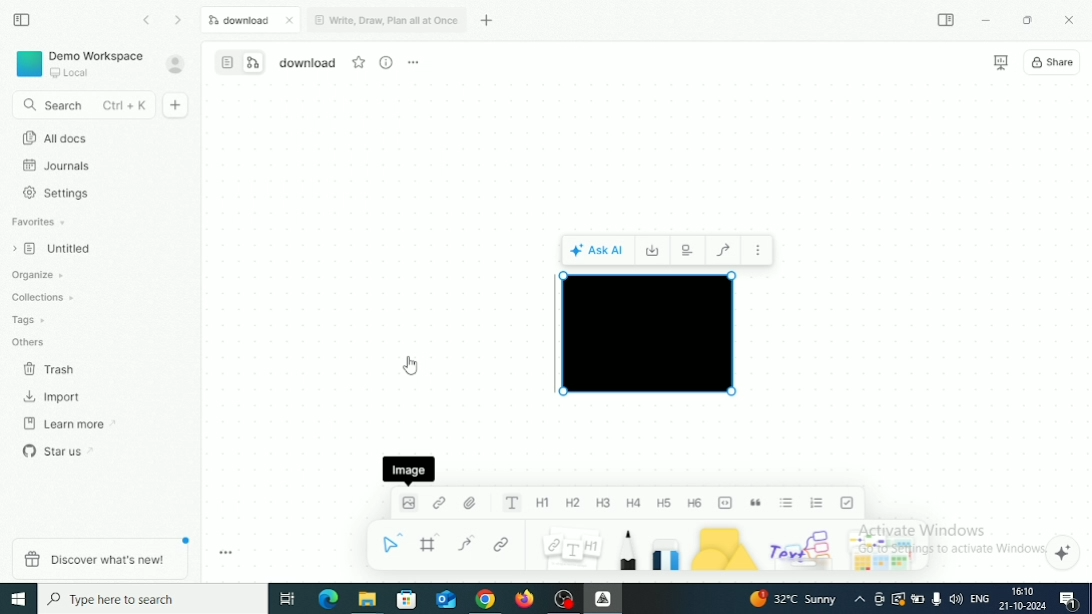  I want to click on Restore Down, so click(1026, 21).